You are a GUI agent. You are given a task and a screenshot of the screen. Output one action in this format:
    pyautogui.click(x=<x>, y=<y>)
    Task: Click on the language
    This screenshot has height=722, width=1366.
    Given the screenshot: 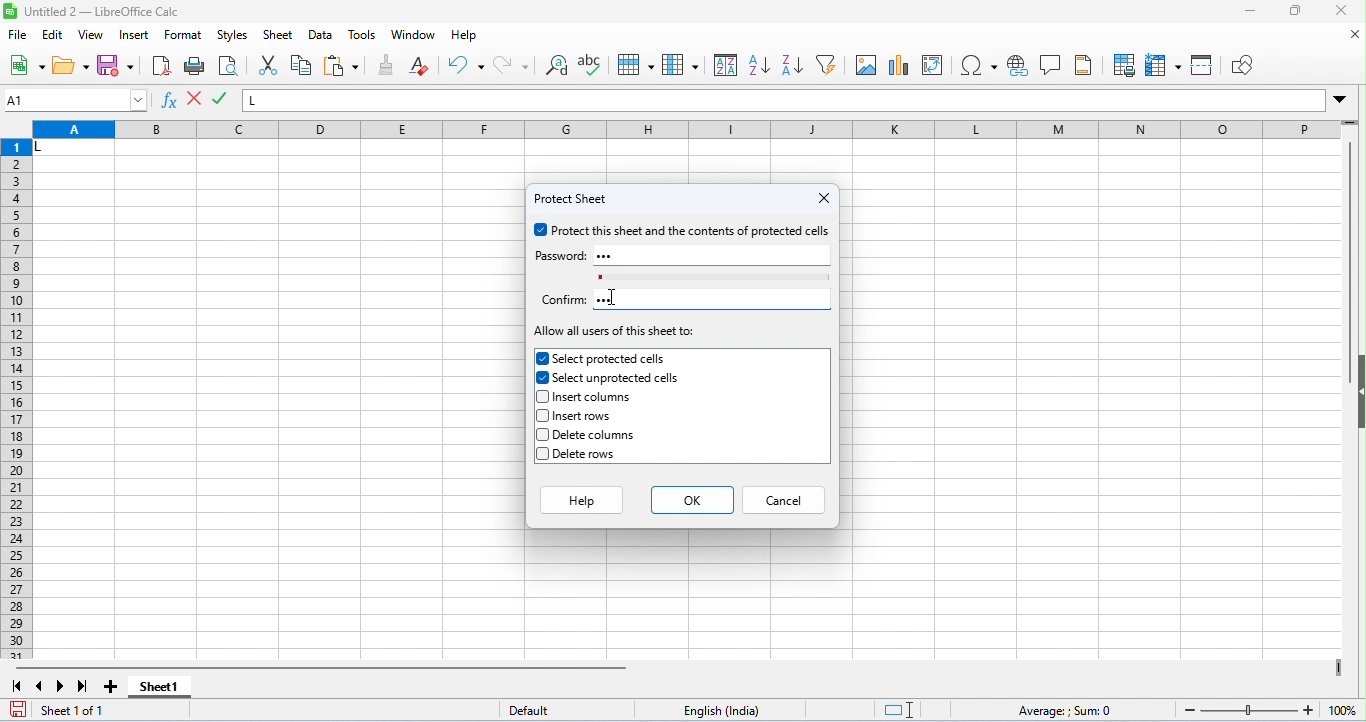 What is the action you would take?
    pyautogui.click(x=728, y=710)
    